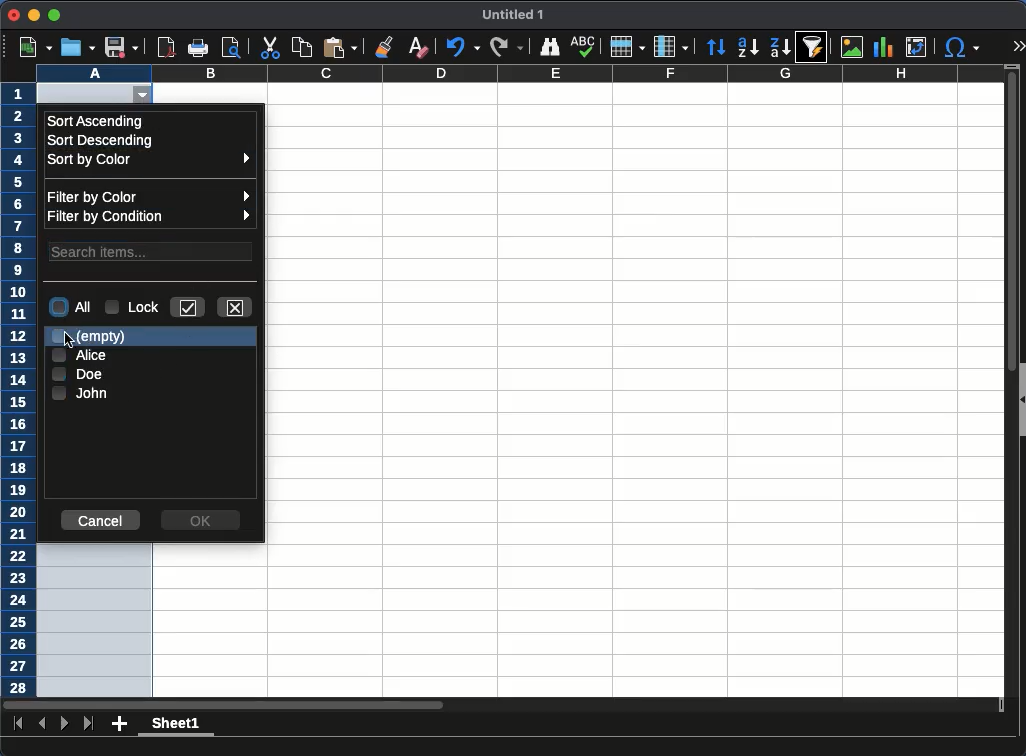  What do you see at coordinates (1005, 389) in the screenshot?
I see `scroll` at bounding box center [1005, 389].